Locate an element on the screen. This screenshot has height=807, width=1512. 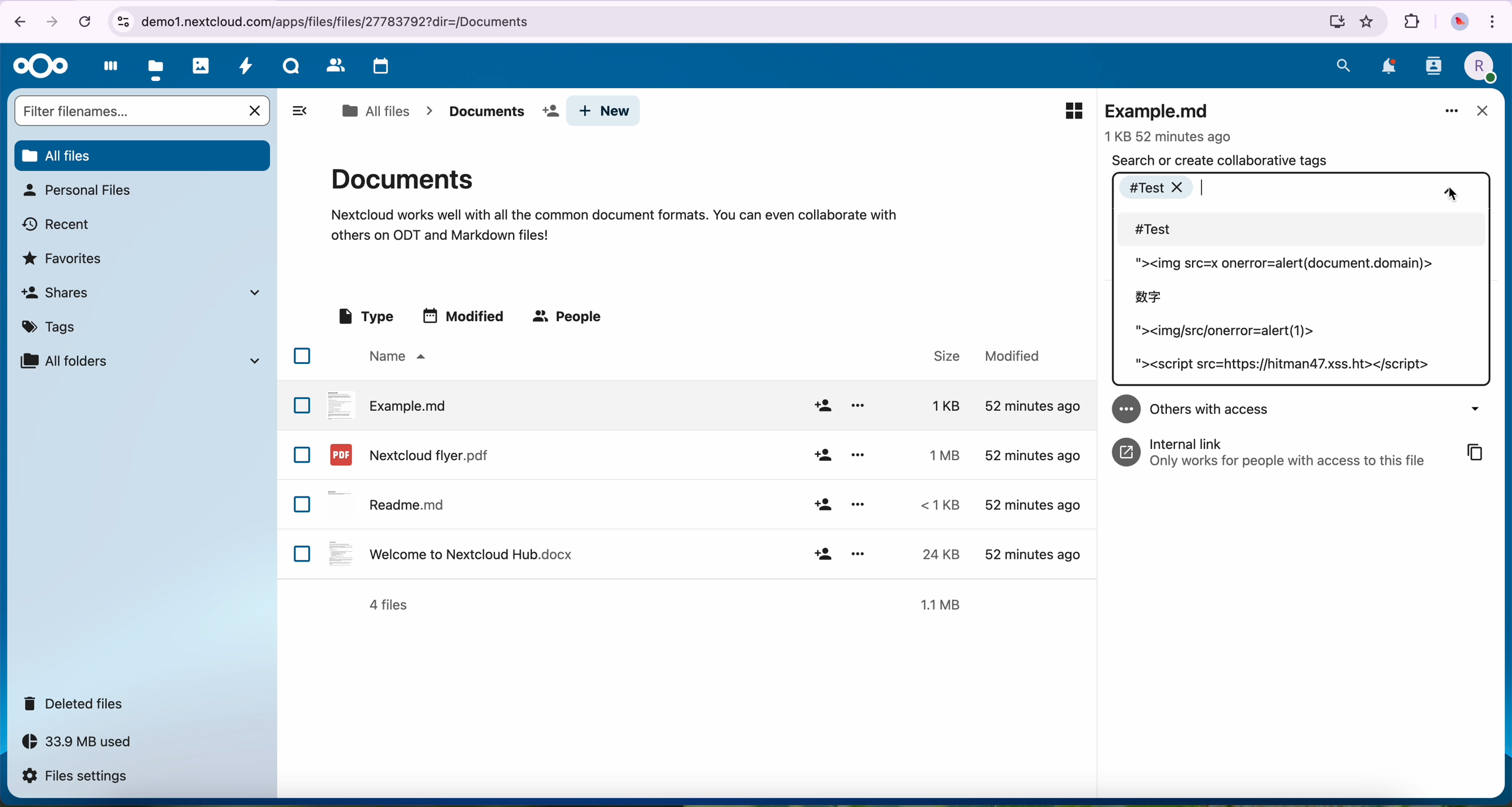
extensions is located at coordinates (1412, 22).